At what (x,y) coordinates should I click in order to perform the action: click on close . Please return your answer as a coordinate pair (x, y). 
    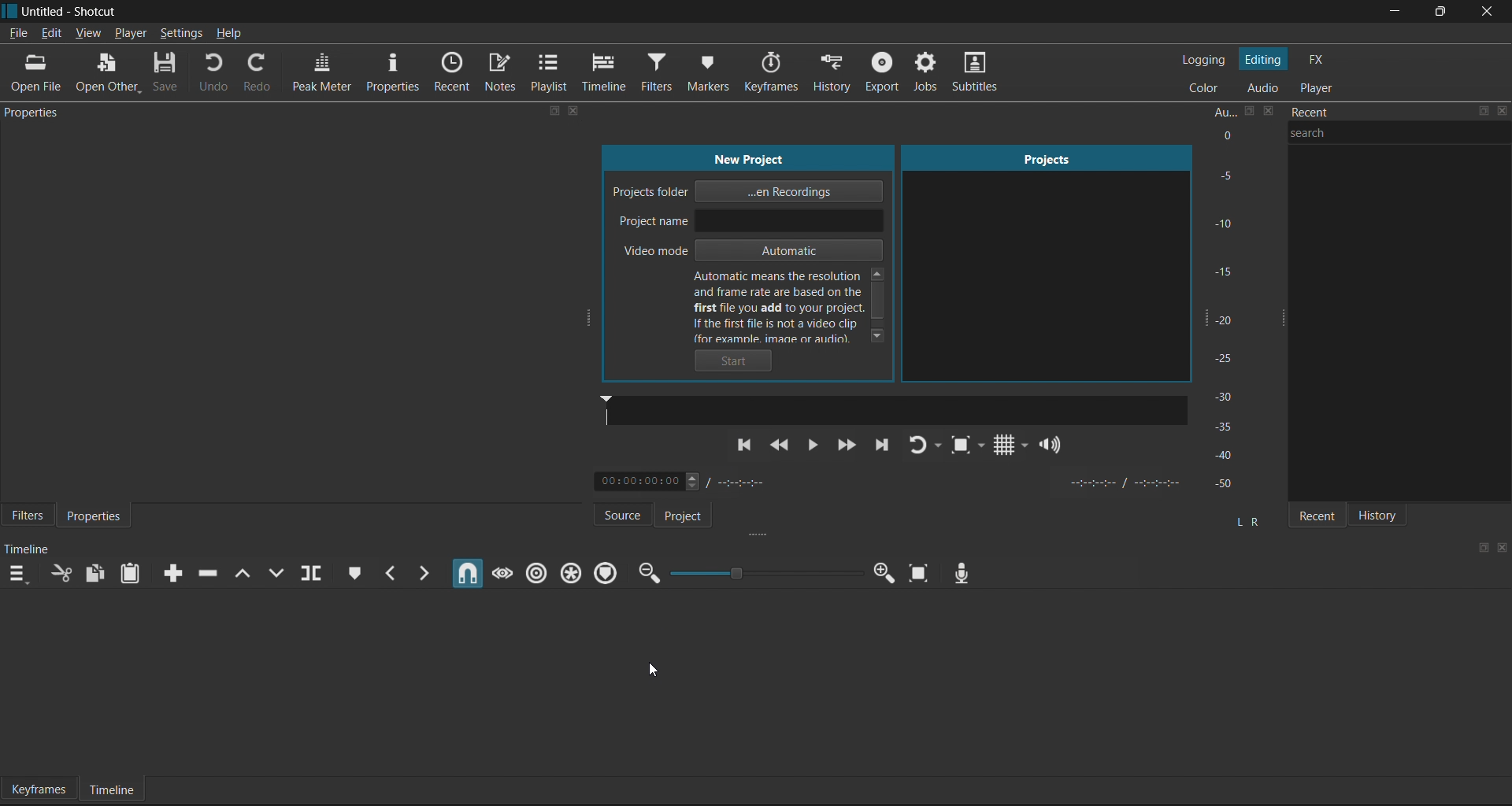
    Looking at the image, I should click on (574, 112).